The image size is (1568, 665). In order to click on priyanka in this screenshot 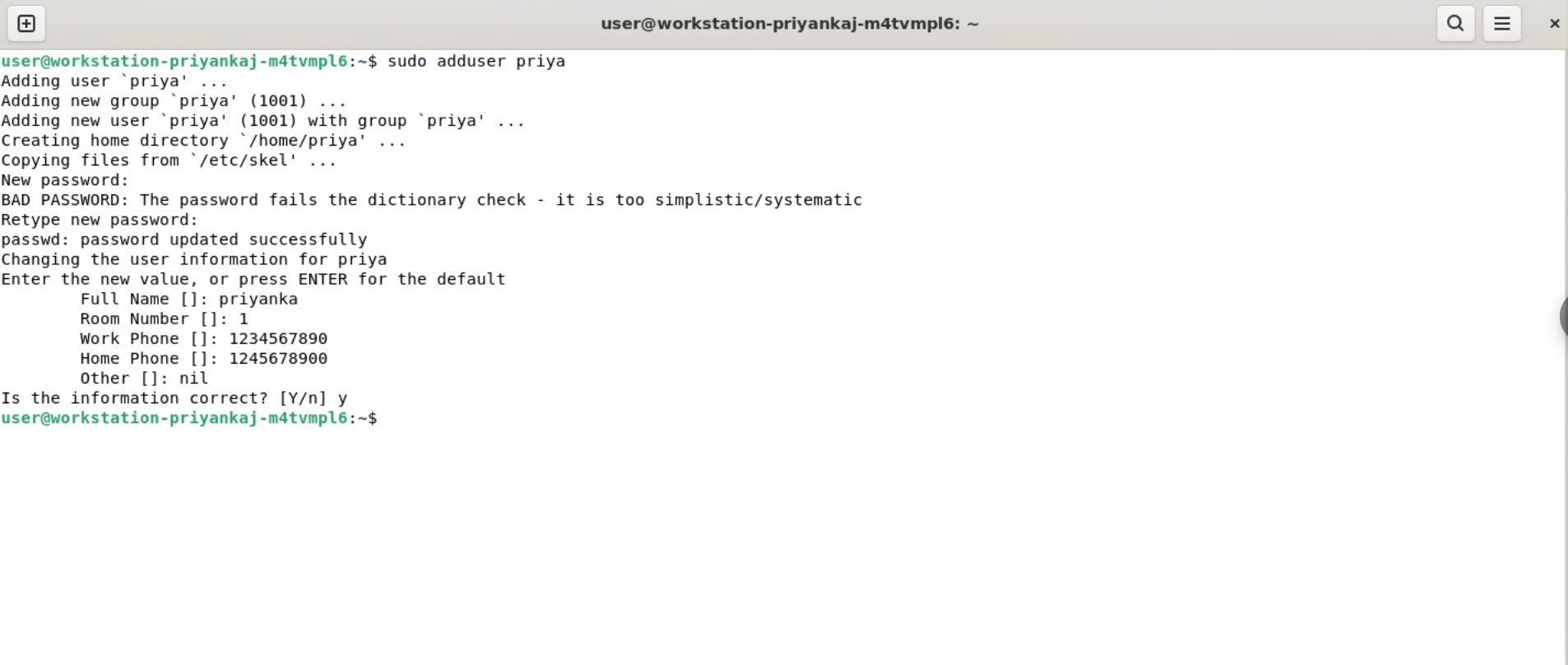, I will do `click(264, 299)`.